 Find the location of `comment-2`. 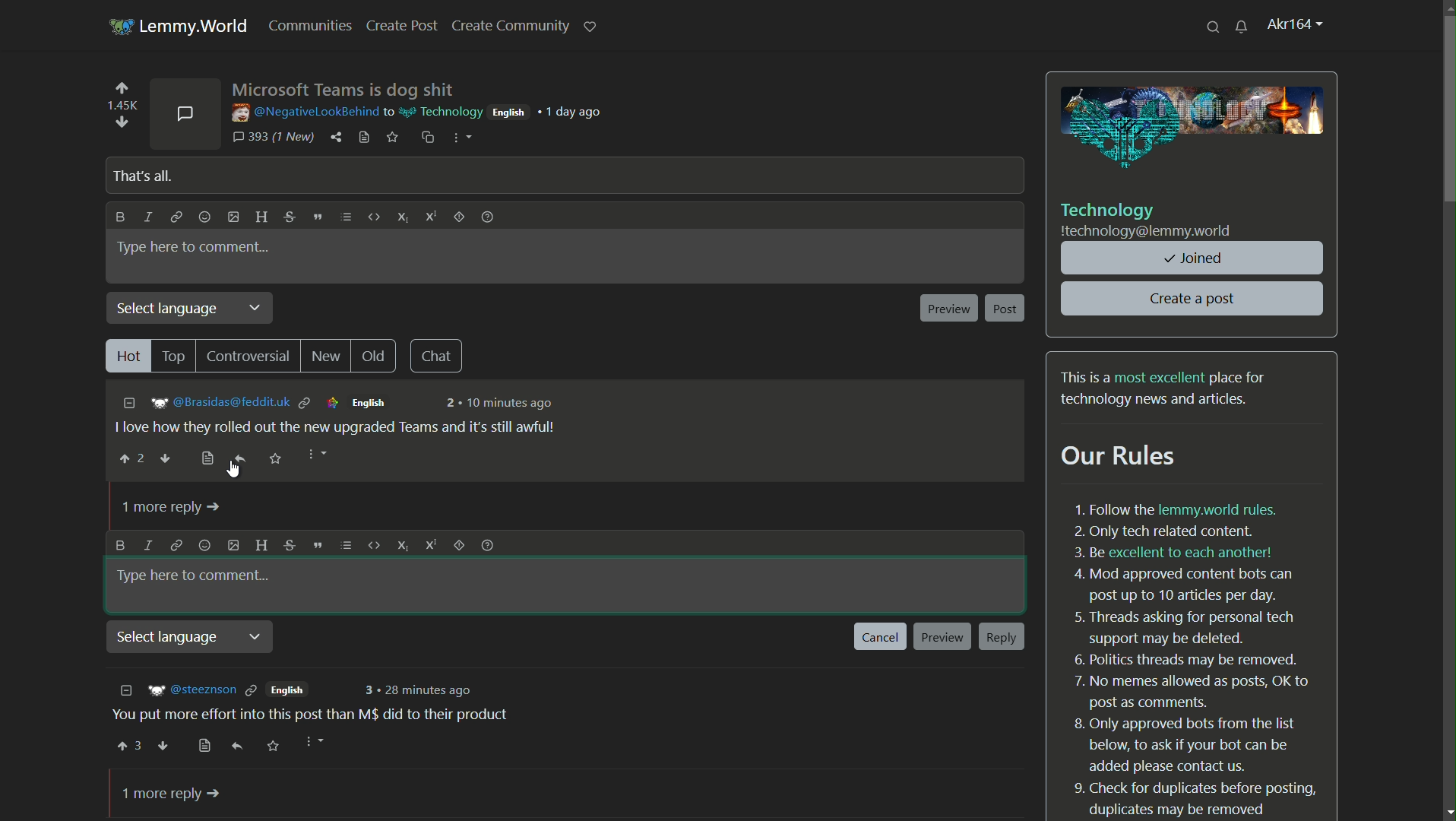

comment-2 is located at coordinates (319, 715).